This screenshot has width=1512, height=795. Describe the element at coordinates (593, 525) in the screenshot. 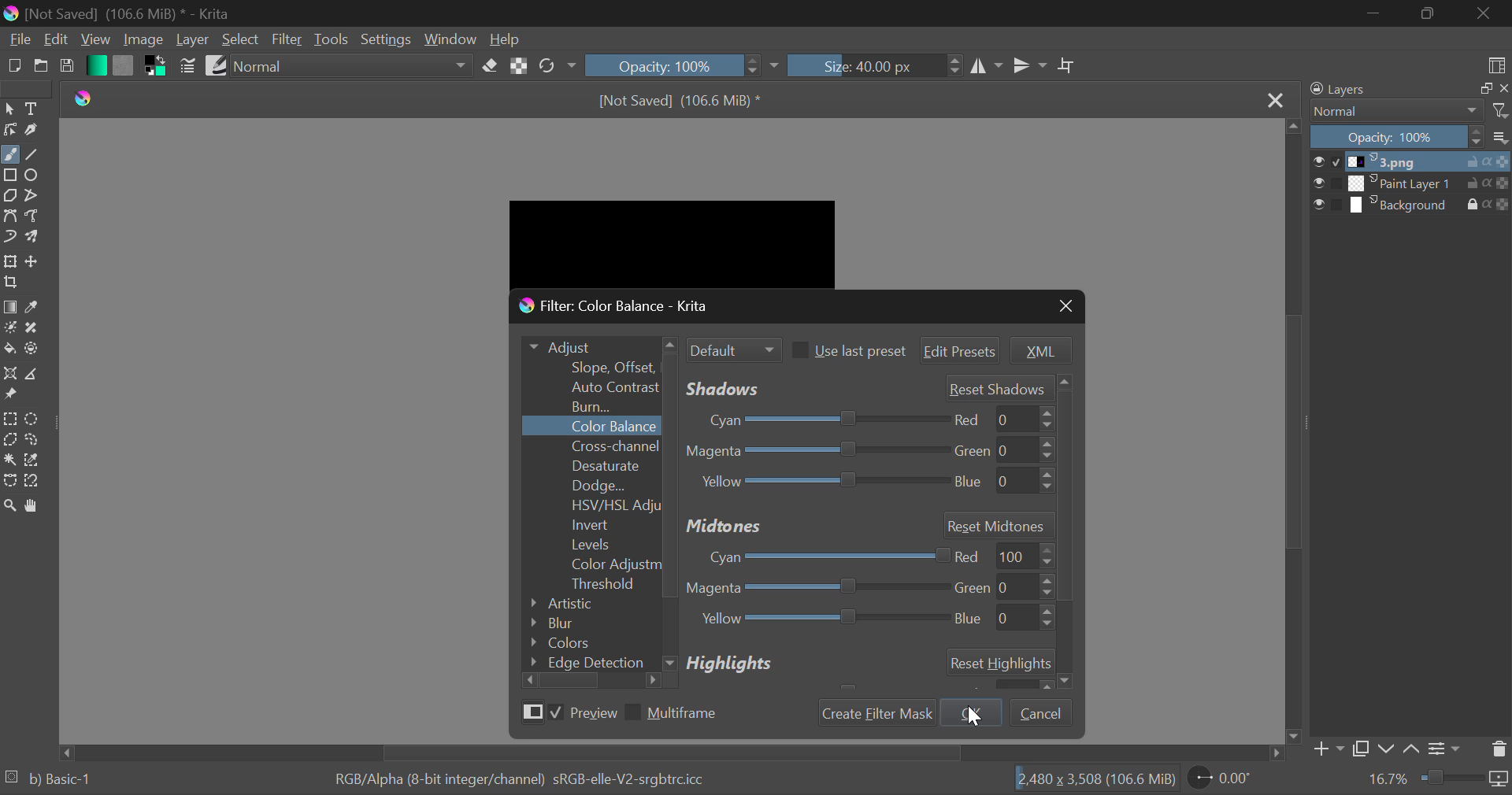

I see `Invert` at that location.